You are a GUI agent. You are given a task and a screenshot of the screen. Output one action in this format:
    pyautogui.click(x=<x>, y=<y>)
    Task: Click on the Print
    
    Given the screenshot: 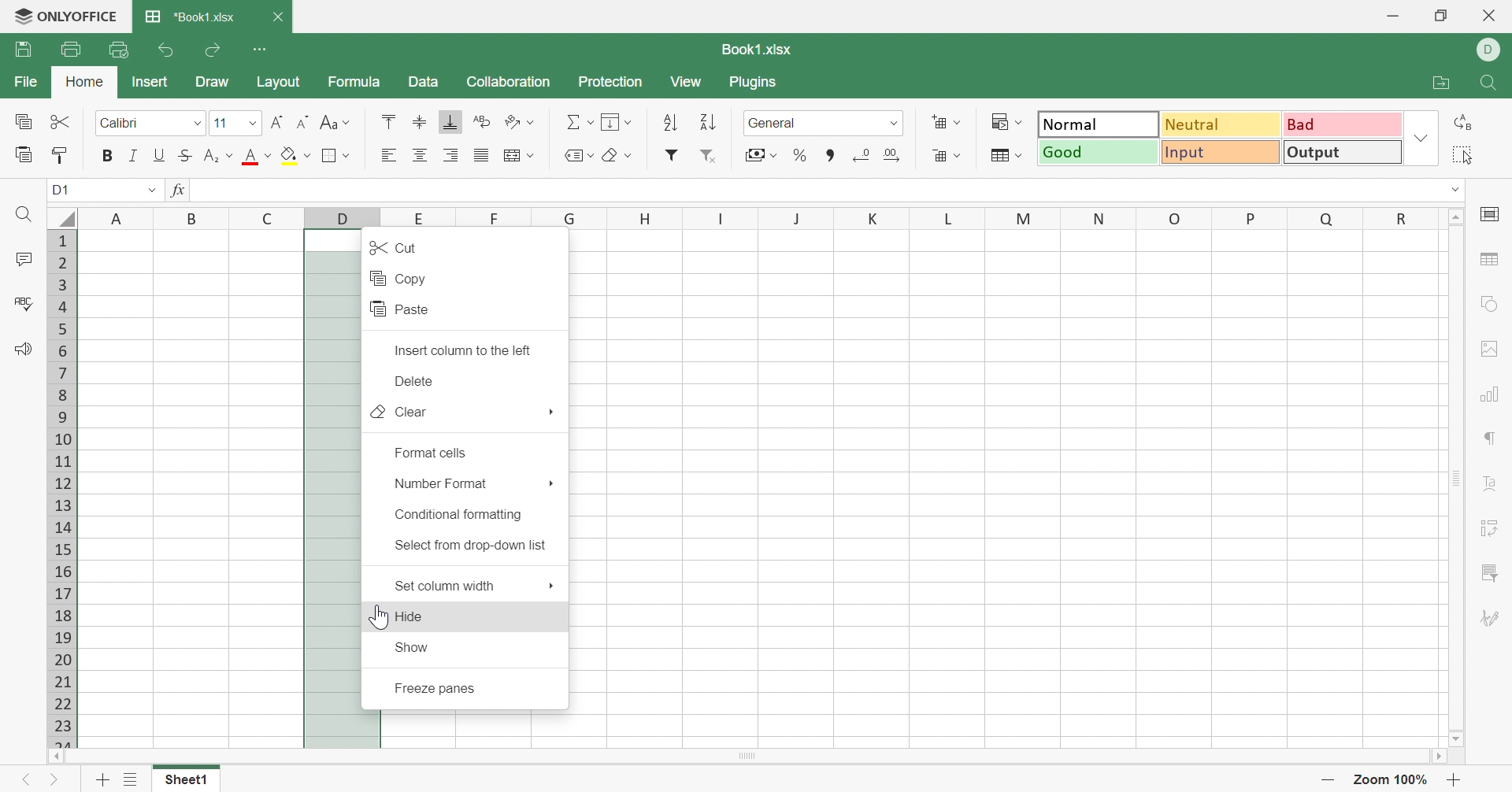 What is the action you would take?
    pyautogui.click(x=73, y=49)
    